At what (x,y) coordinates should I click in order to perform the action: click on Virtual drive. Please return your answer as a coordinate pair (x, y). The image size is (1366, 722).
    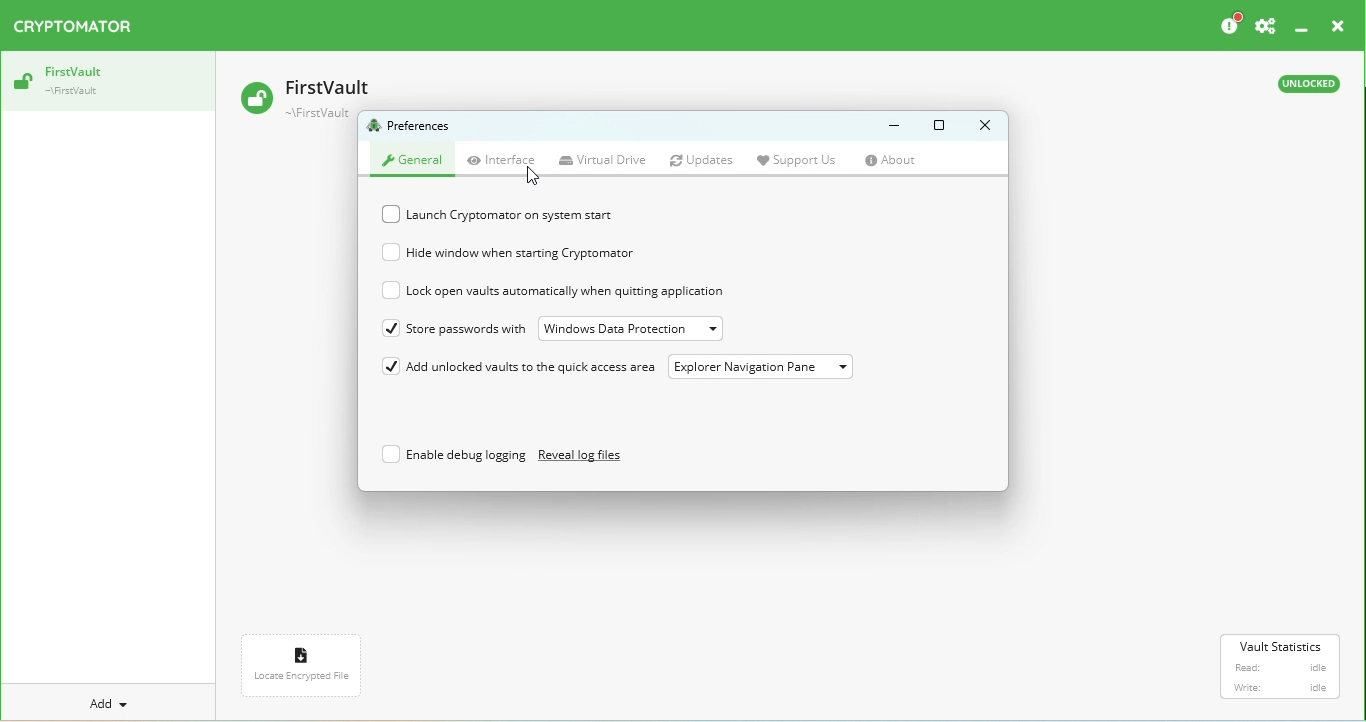
    Looking at the image, I should click on (605, 161).